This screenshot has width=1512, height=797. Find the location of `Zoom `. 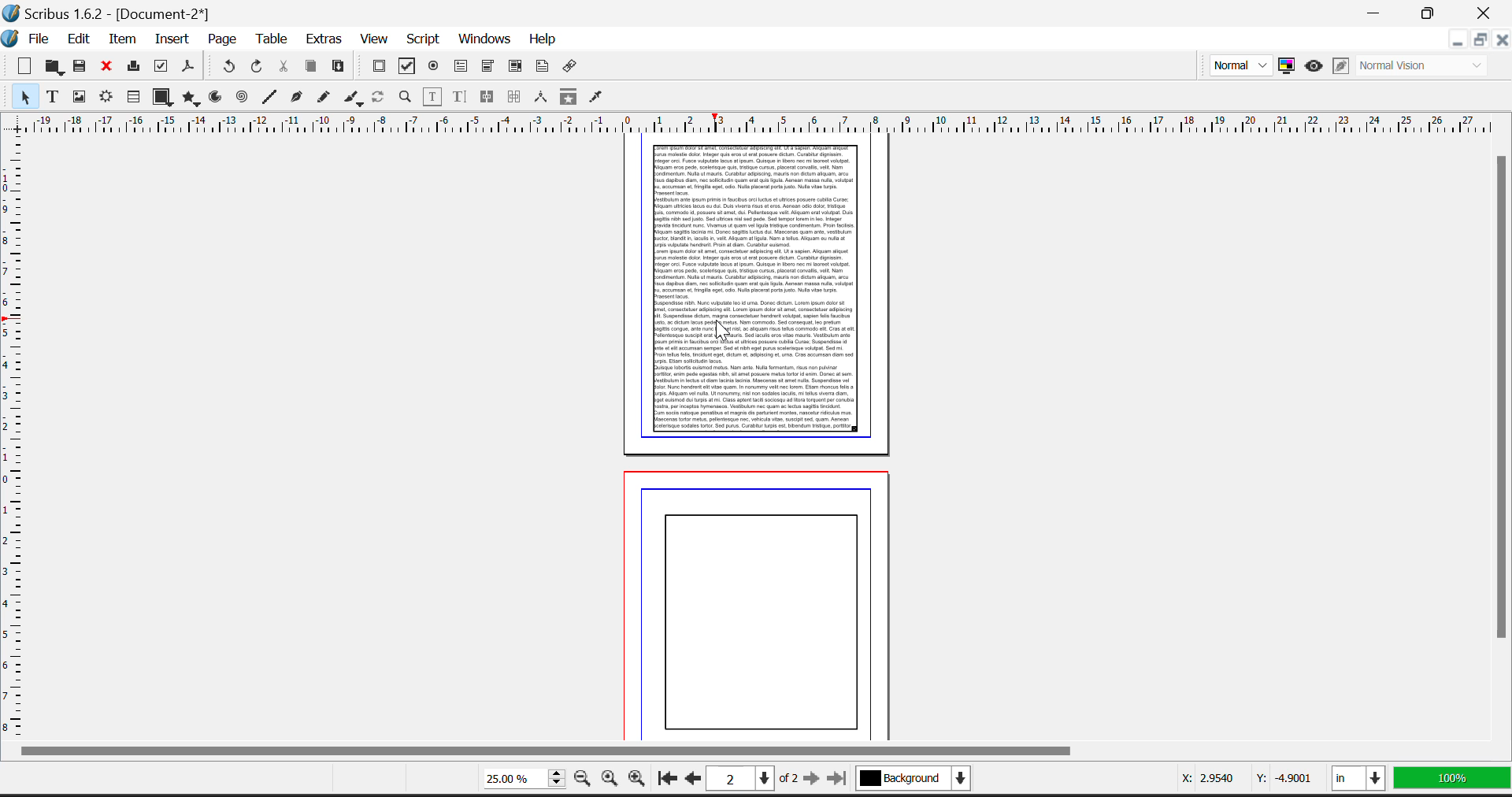

Zoom  is located at coordinates (405, 98).